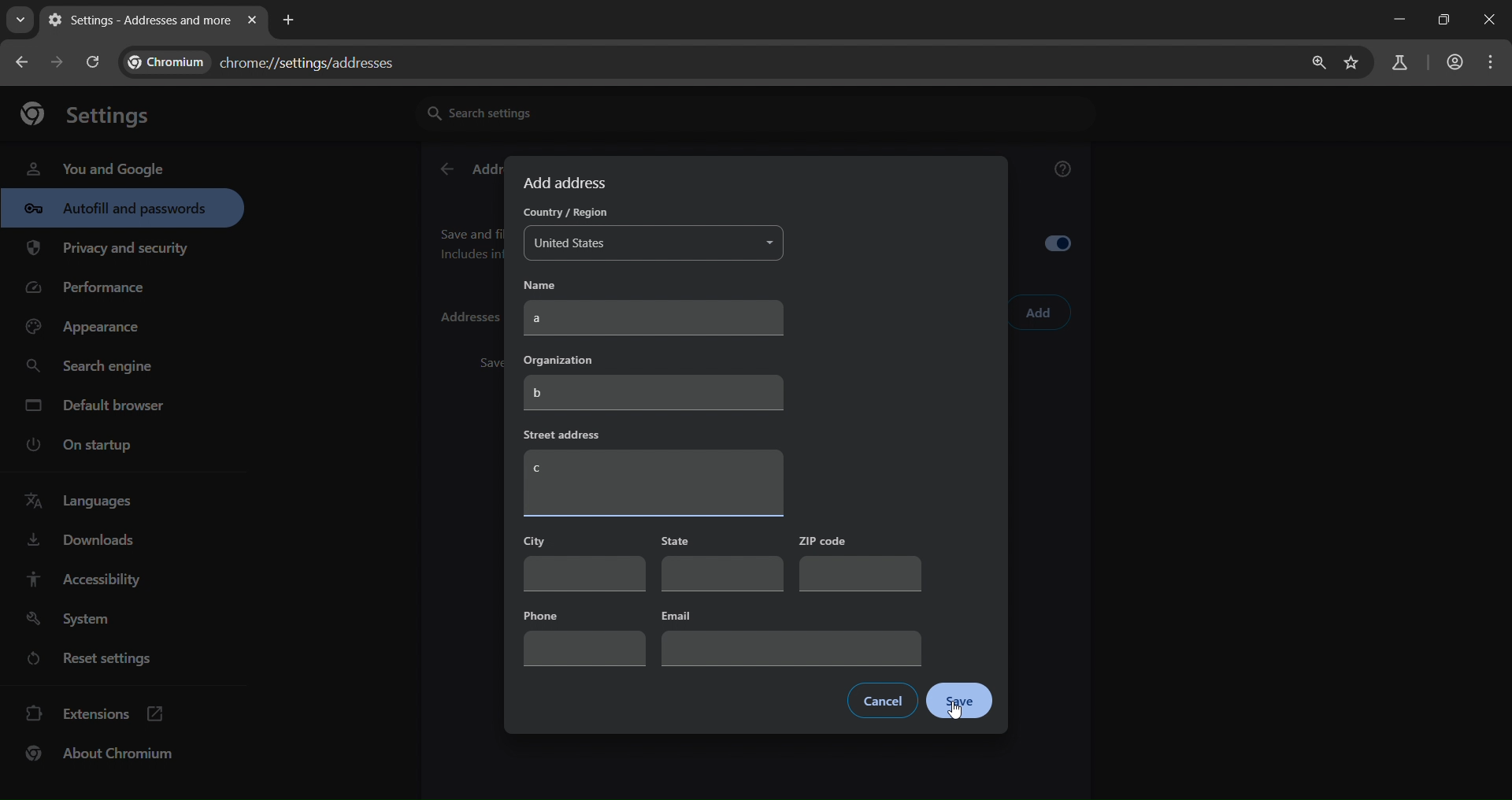 Image resolution: width=1512 pixels, height=800 pixels. I want to click on cancel, so click(882, 699).